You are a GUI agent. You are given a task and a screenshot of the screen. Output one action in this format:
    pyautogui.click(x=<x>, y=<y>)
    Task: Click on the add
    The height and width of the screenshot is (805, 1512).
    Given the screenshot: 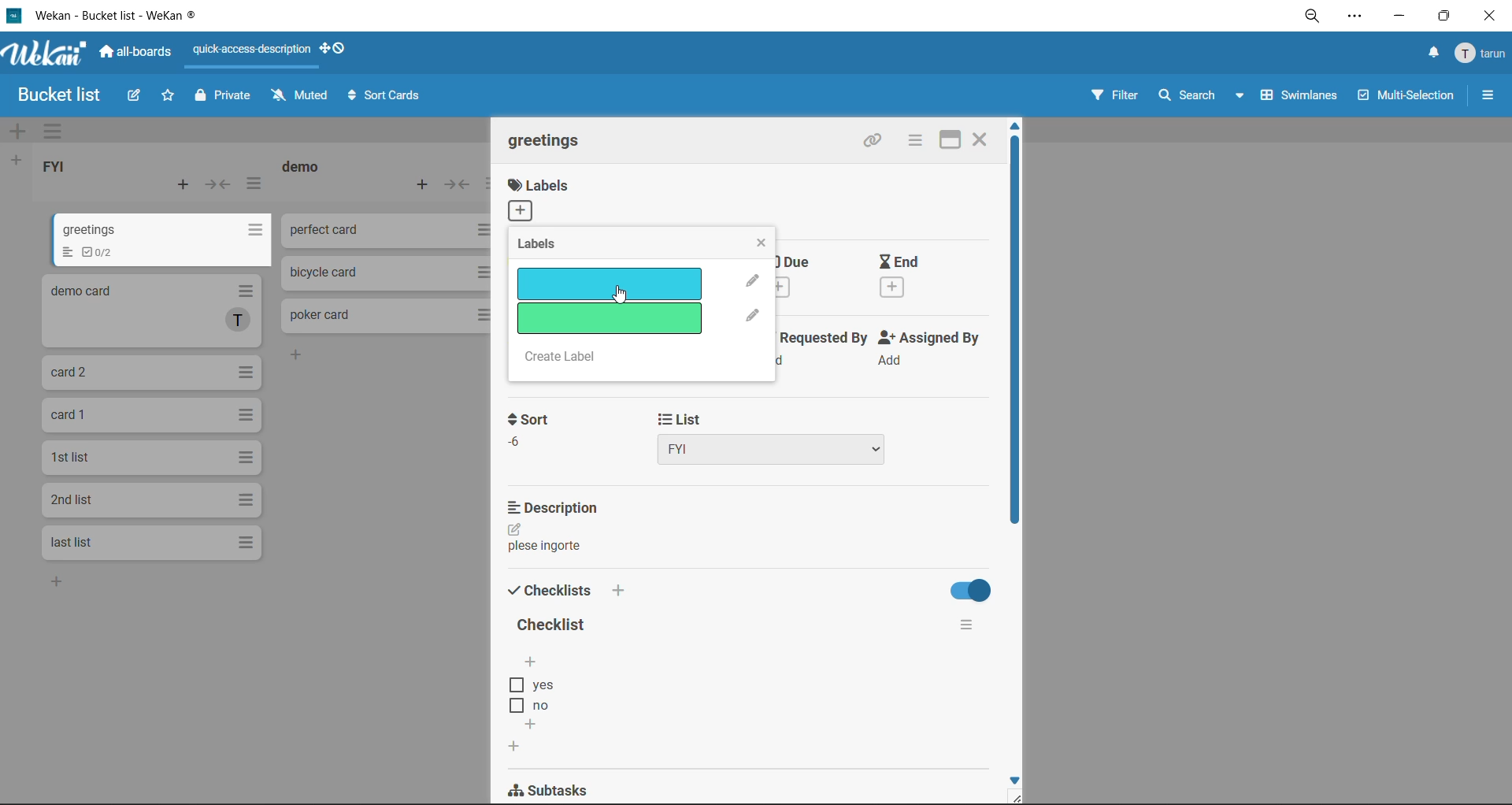 What is the action you would take?
    pyautogui.click(x=57, y=582)
    